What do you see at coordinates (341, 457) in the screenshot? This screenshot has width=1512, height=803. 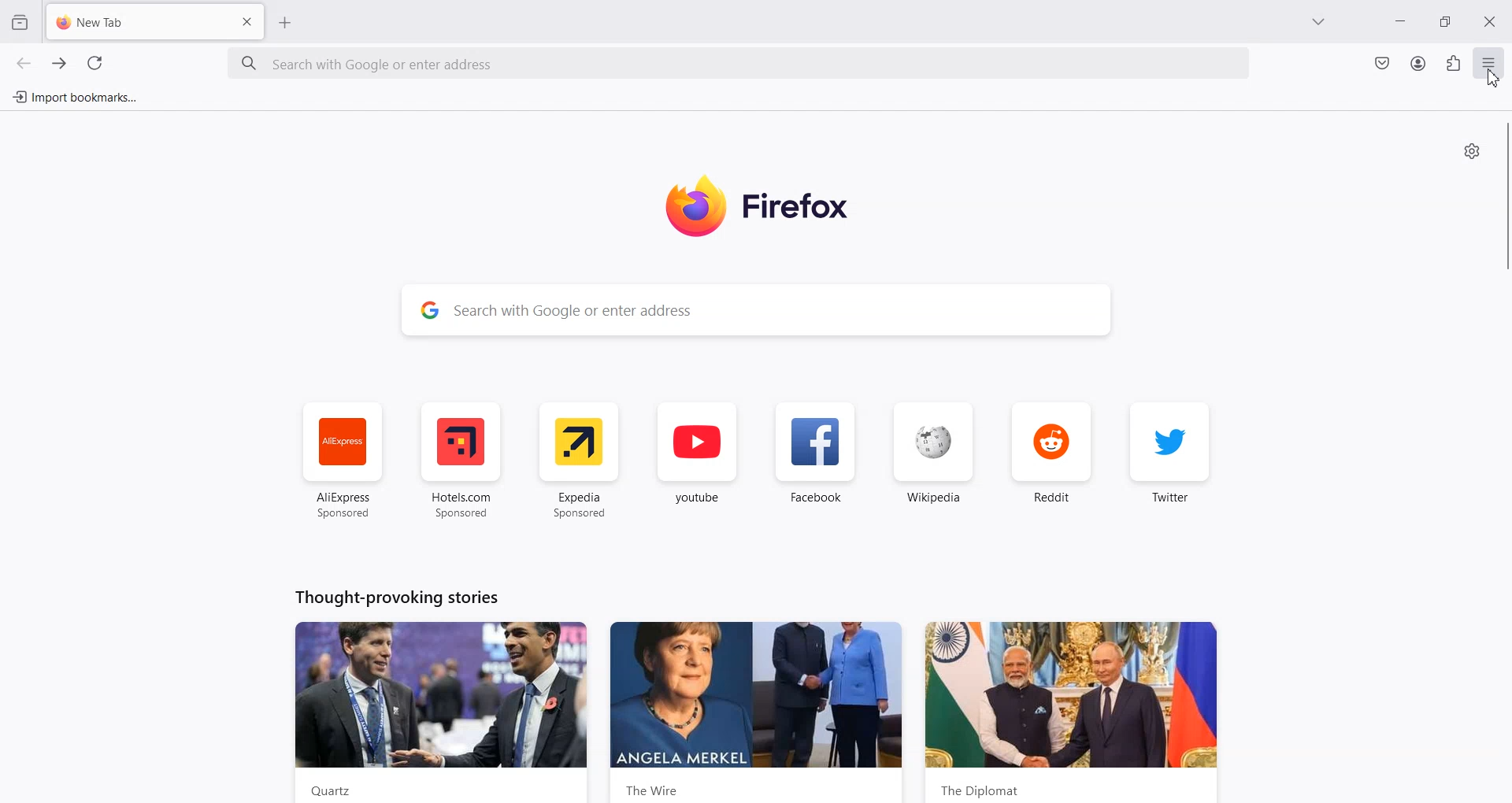 I see `AliExpress Sponsored` at bounding box center [341, 457].